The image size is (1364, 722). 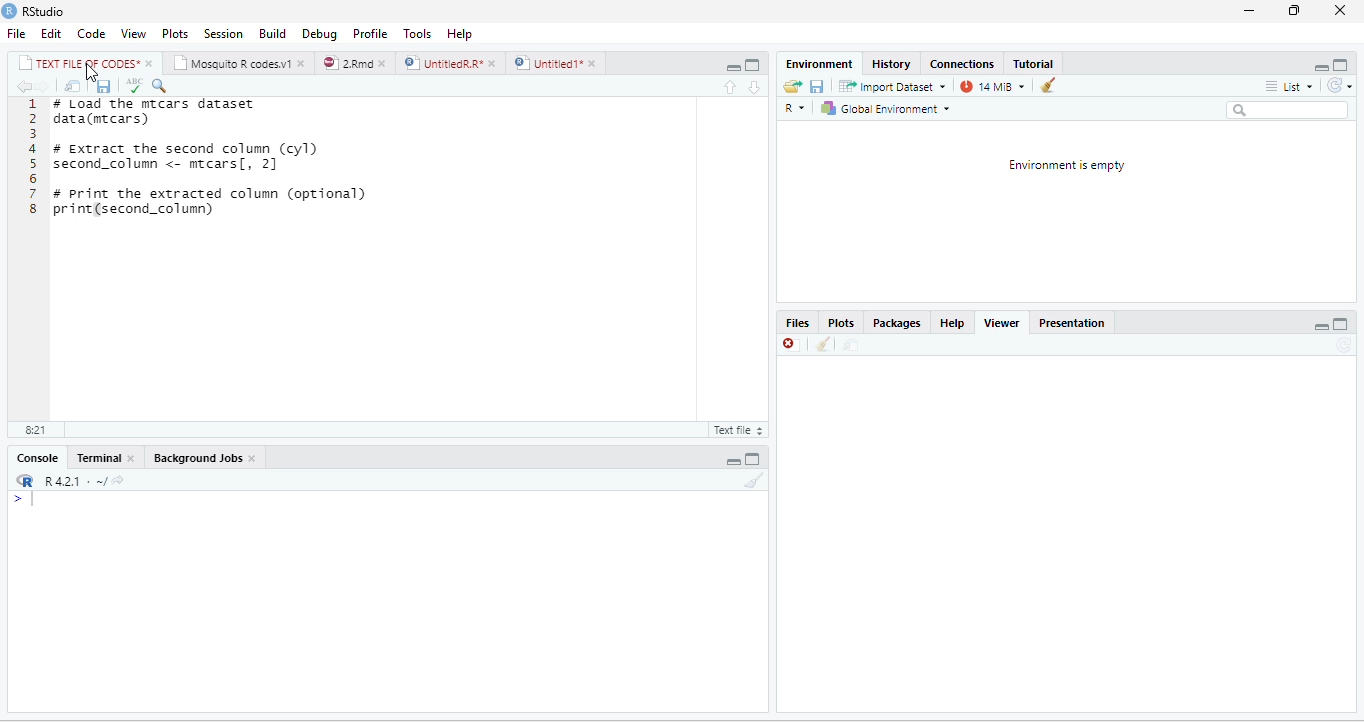 What do you see at coordinates (268, 32) in the screenshot?
I see `` at bounding box center [268, 32].